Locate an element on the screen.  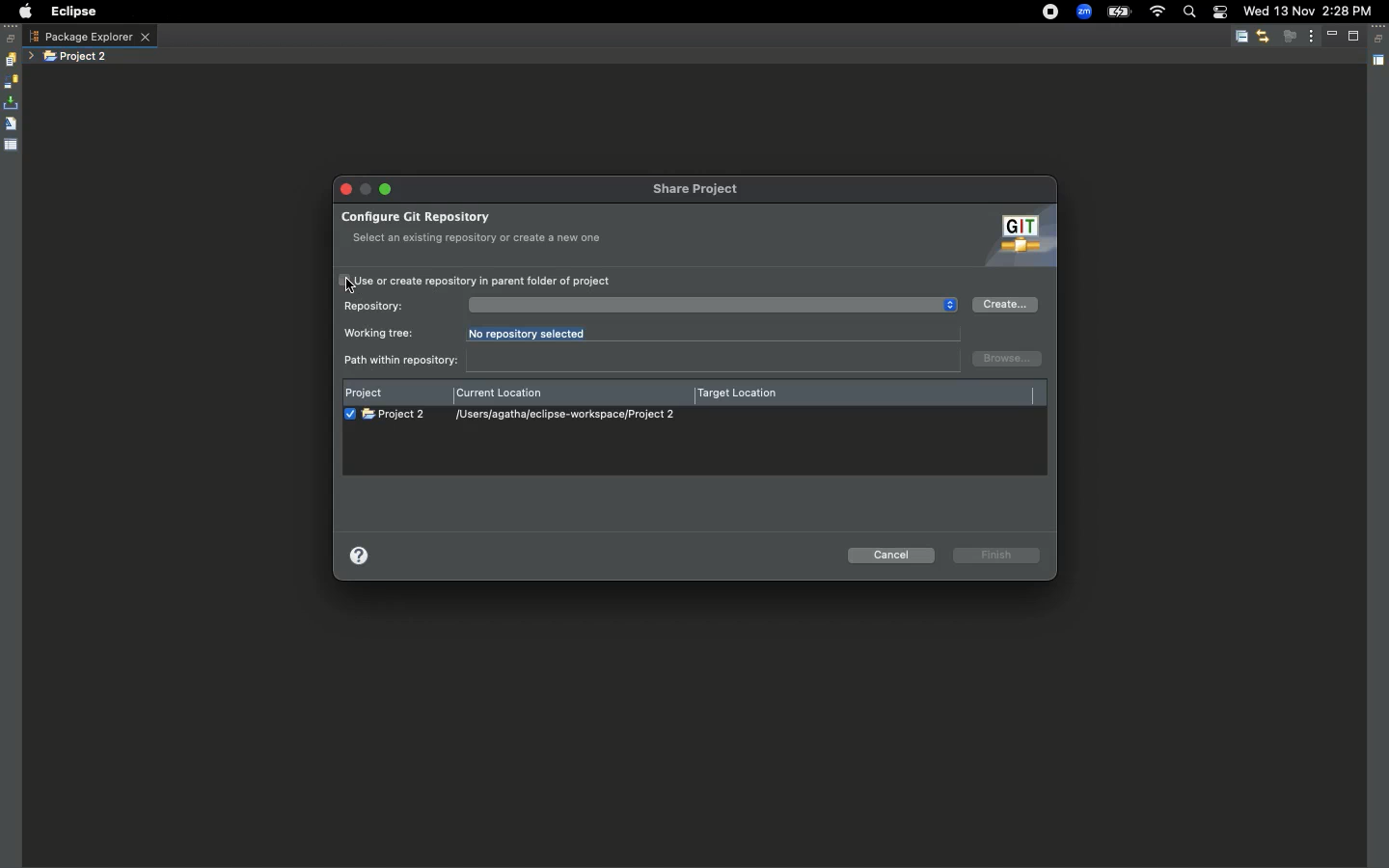
No repository selected is located at coordinates (535, 334).